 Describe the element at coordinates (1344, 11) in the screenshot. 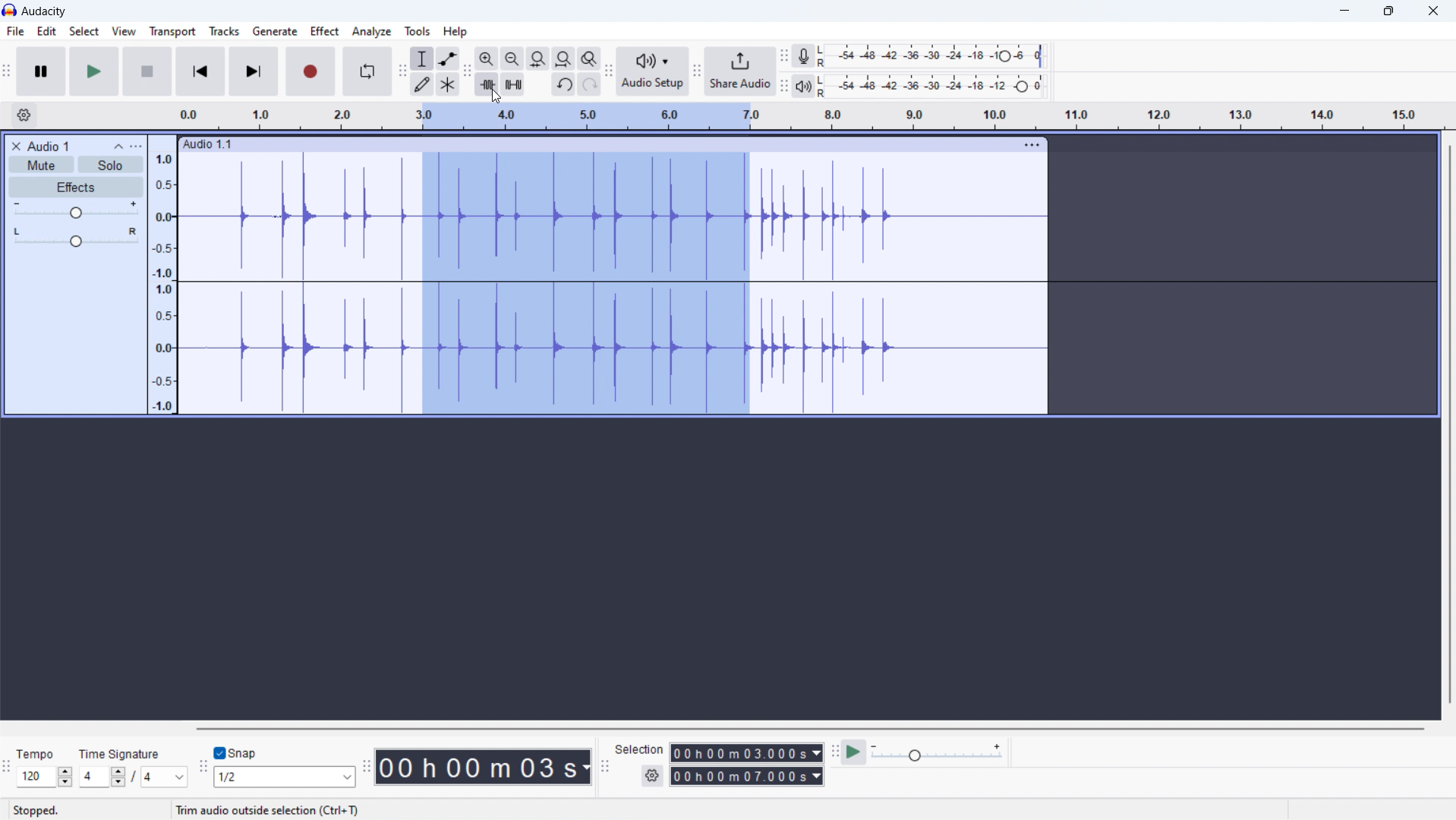

I see `minimize` at that location.